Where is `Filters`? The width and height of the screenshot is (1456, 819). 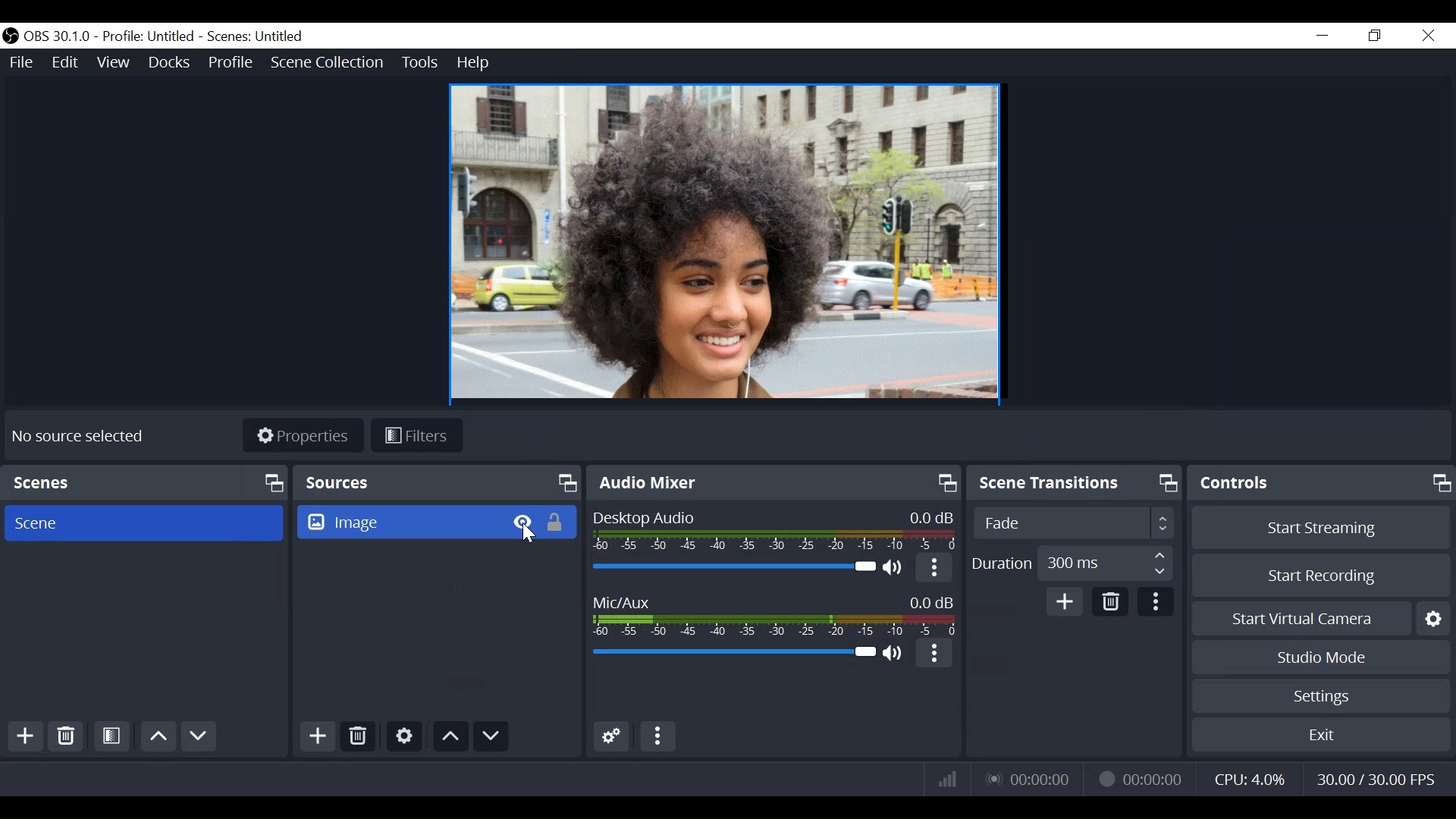
Filters is located at coordinates (416, 436).